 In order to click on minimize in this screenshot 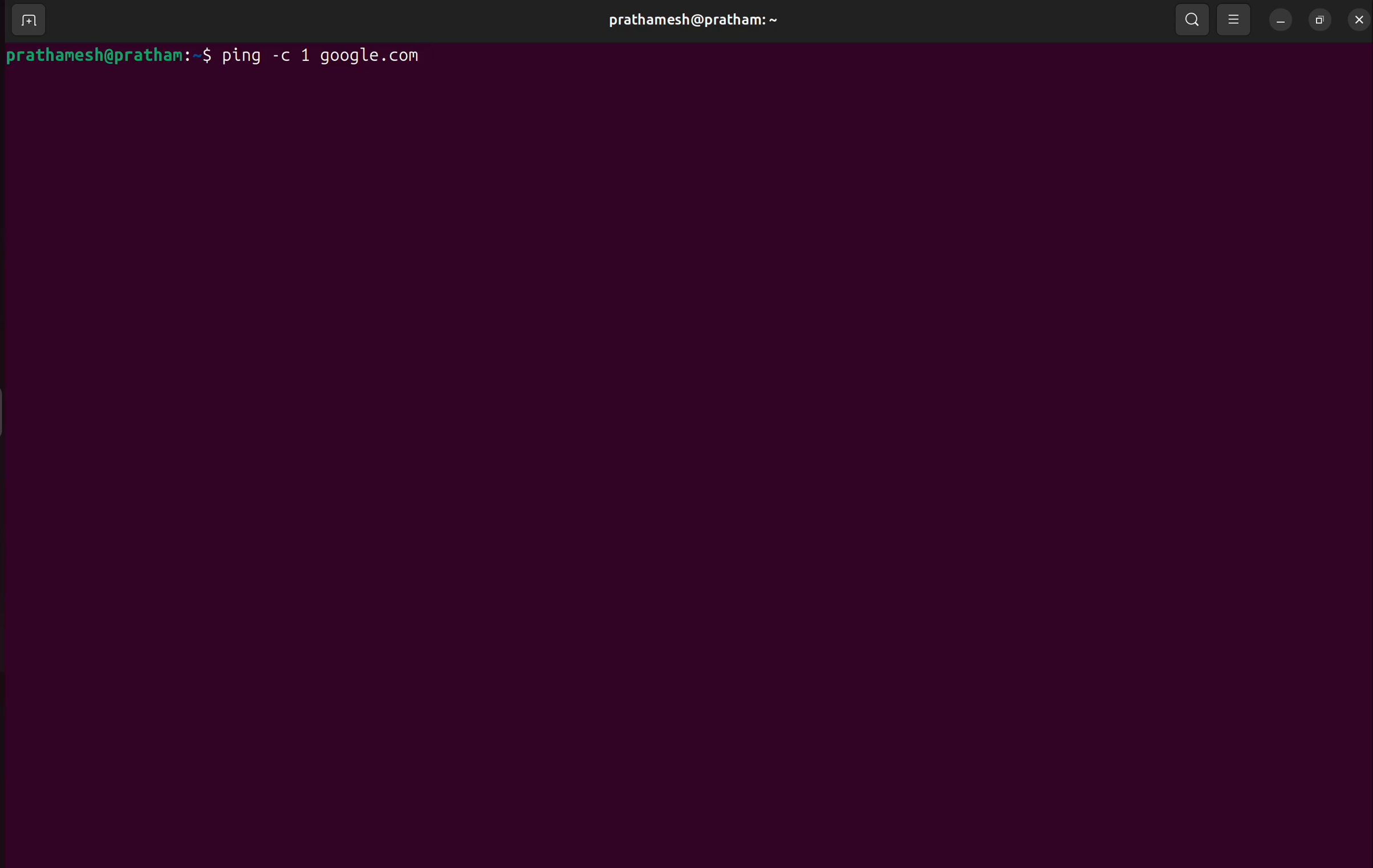, I will do `click(1283, 18)`.